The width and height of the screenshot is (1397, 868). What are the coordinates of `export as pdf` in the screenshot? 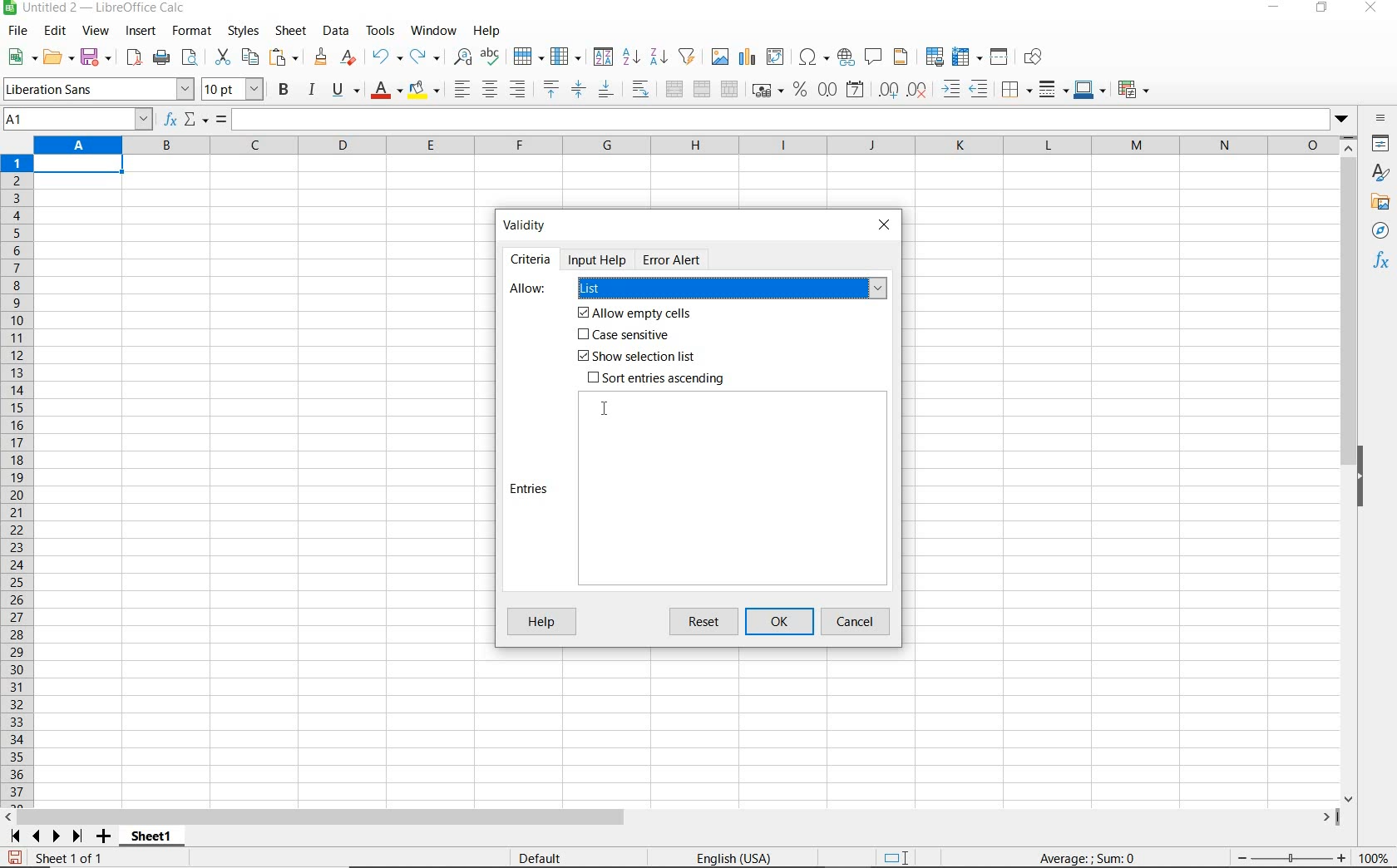 It's located at (133, 57).